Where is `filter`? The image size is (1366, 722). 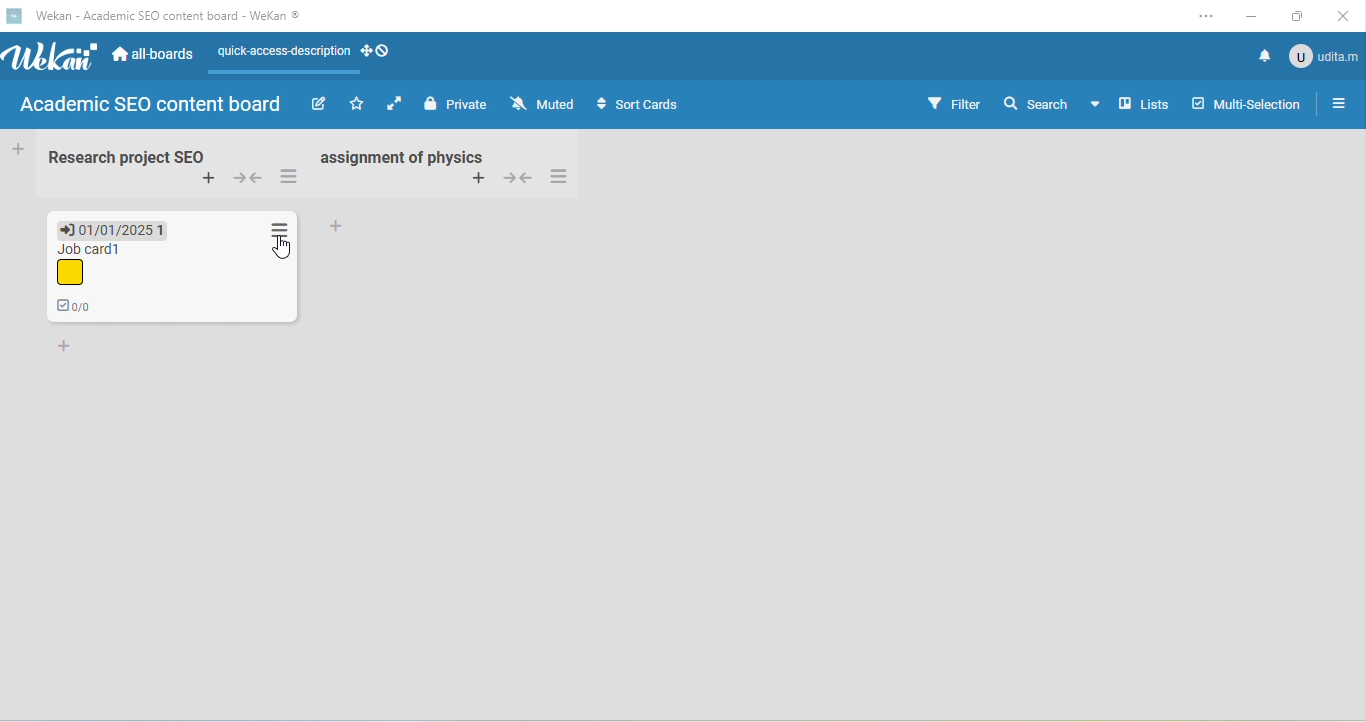
filter is located at coordinates (953, 103).